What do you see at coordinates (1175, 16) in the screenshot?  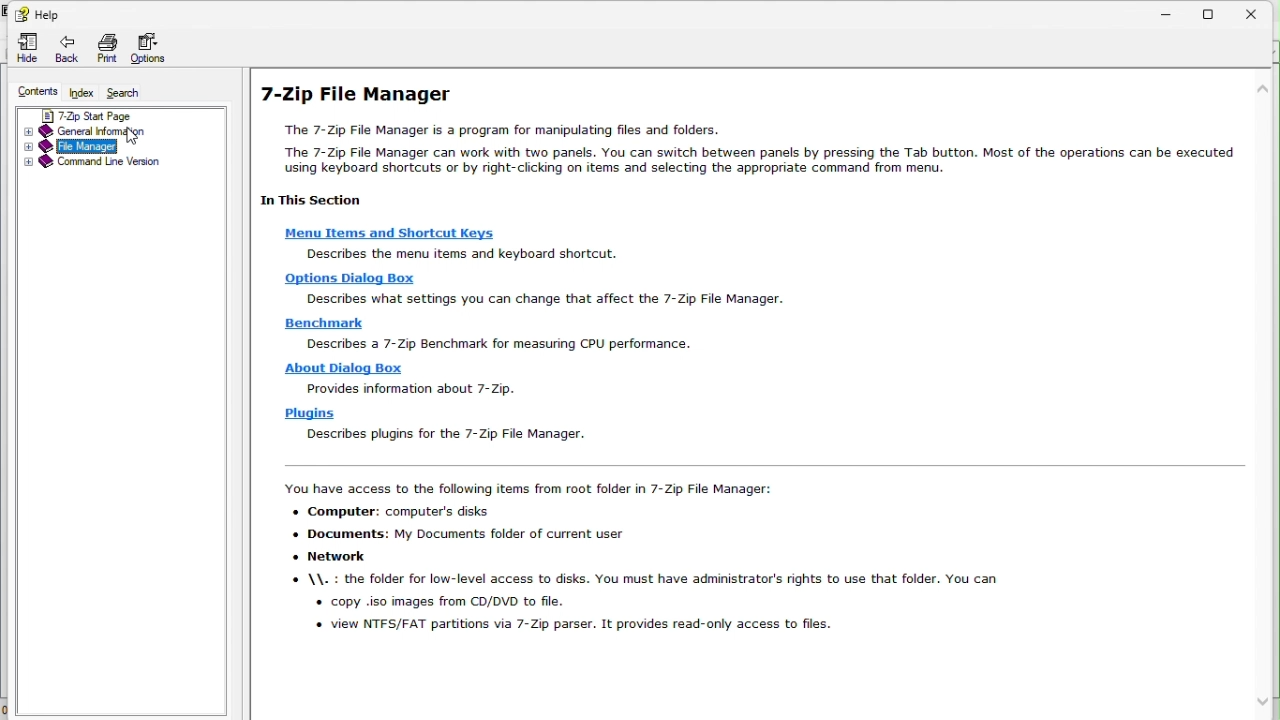 I see `Minimize` at bounding box center [1175, 16].